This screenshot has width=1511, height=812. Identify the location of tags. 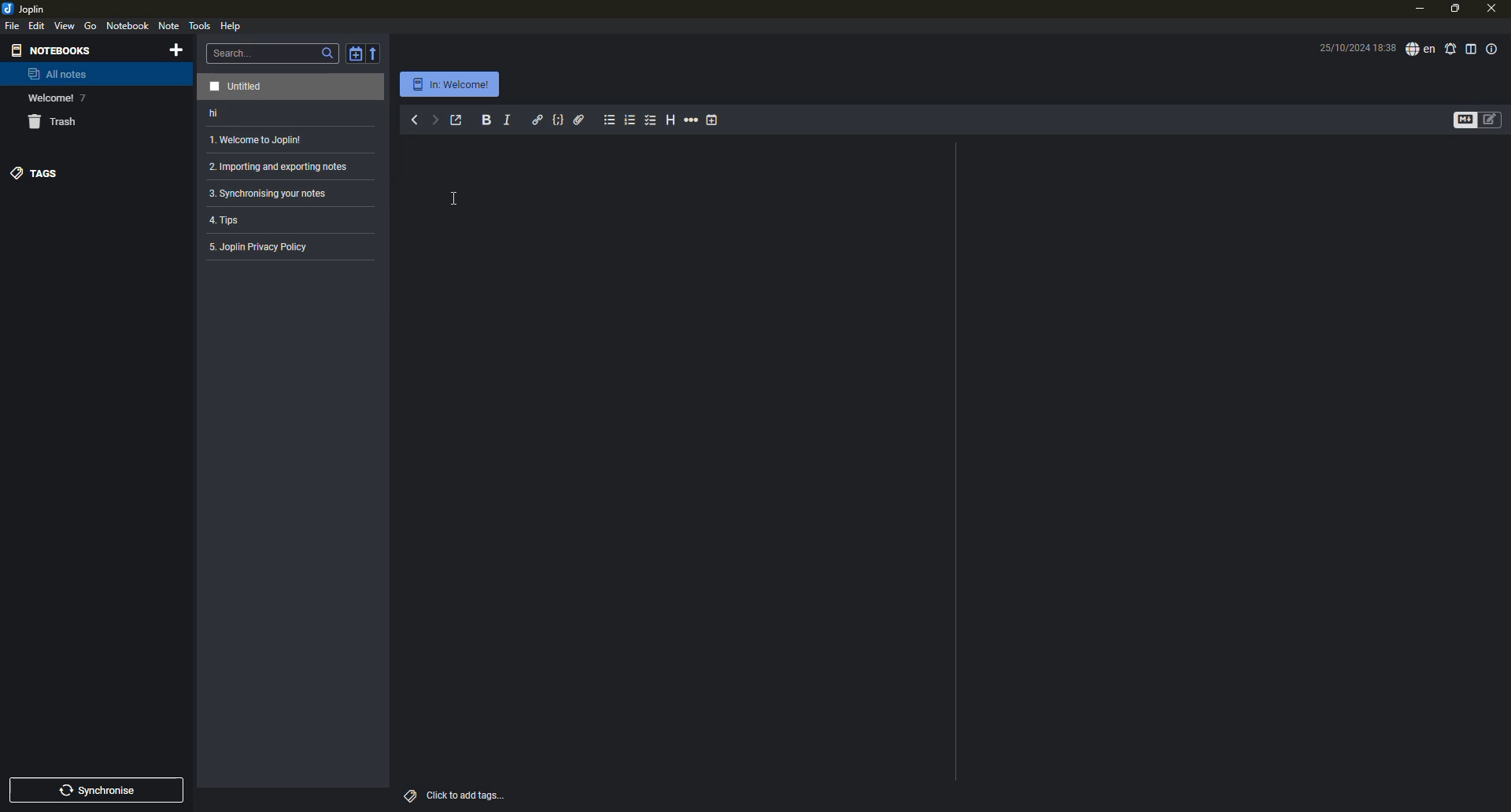
(34, 172).